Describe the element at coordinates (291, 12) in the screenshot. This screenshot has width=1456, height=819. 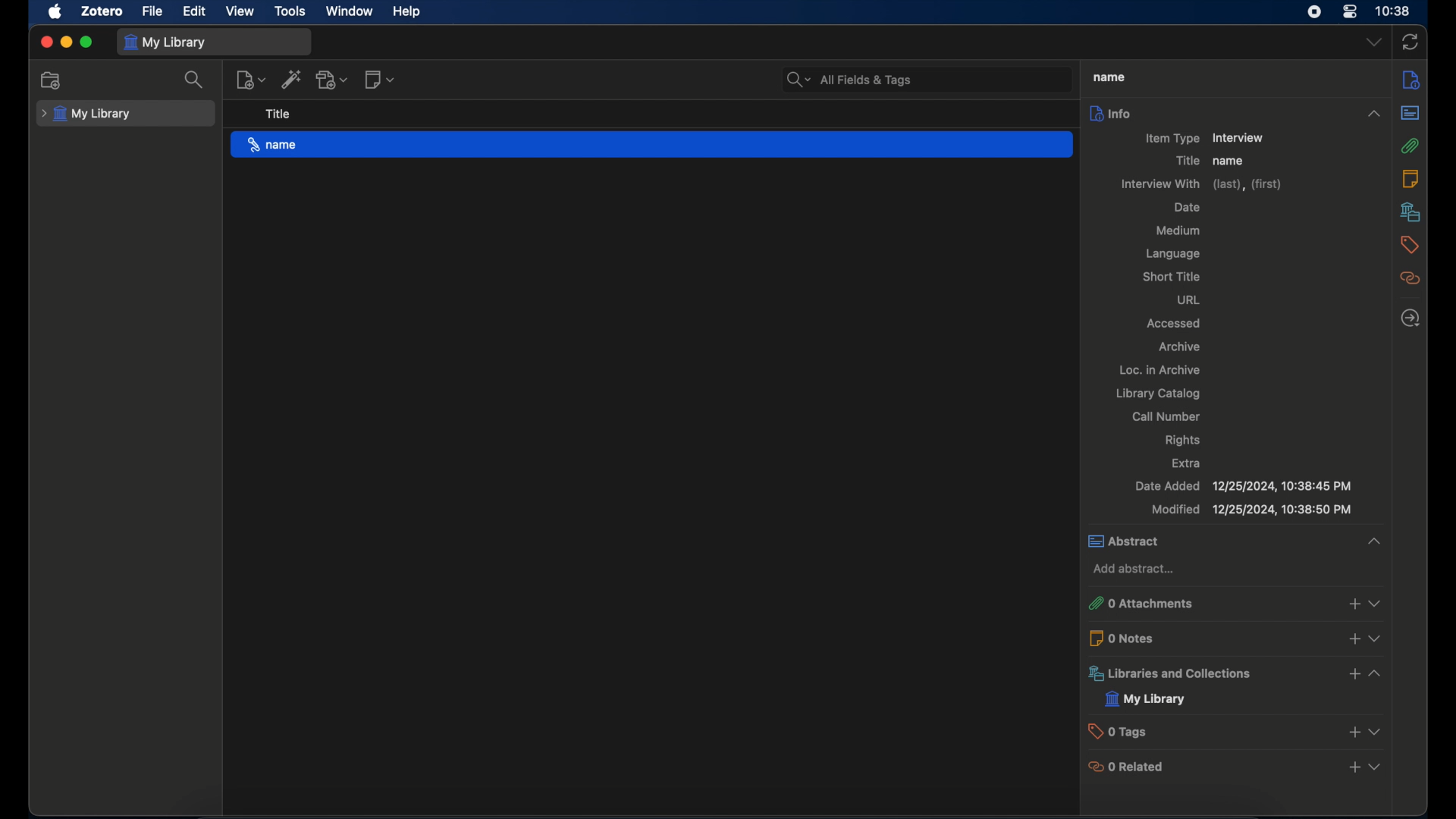
I see `tools` at that location.